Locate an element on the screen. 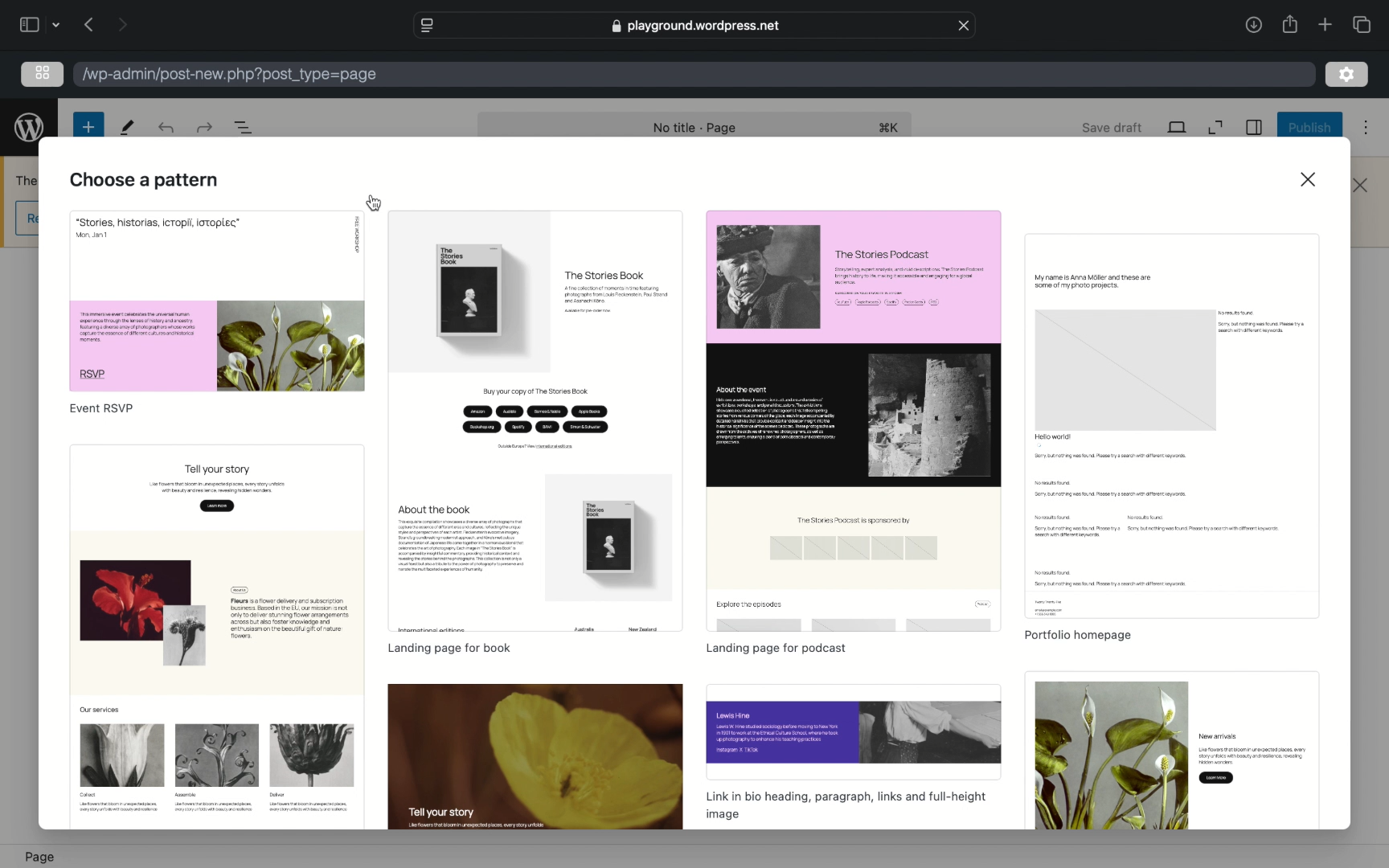 The width and height of the screenshot is (1389, 868). settings is located at coordinates (1347, 76).